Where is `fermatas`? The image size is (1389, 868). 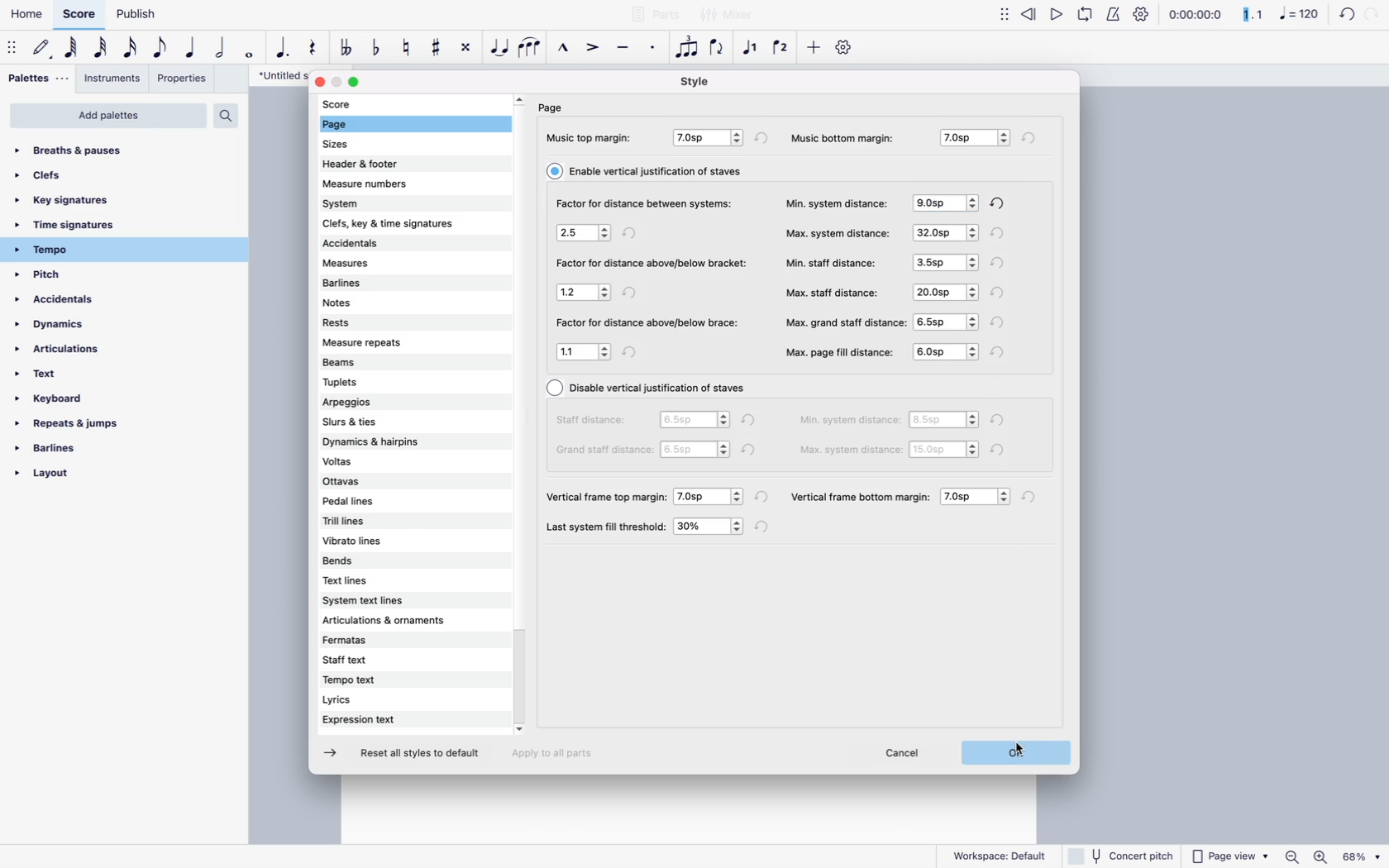
fermatas is located at coordinates (391, 641).